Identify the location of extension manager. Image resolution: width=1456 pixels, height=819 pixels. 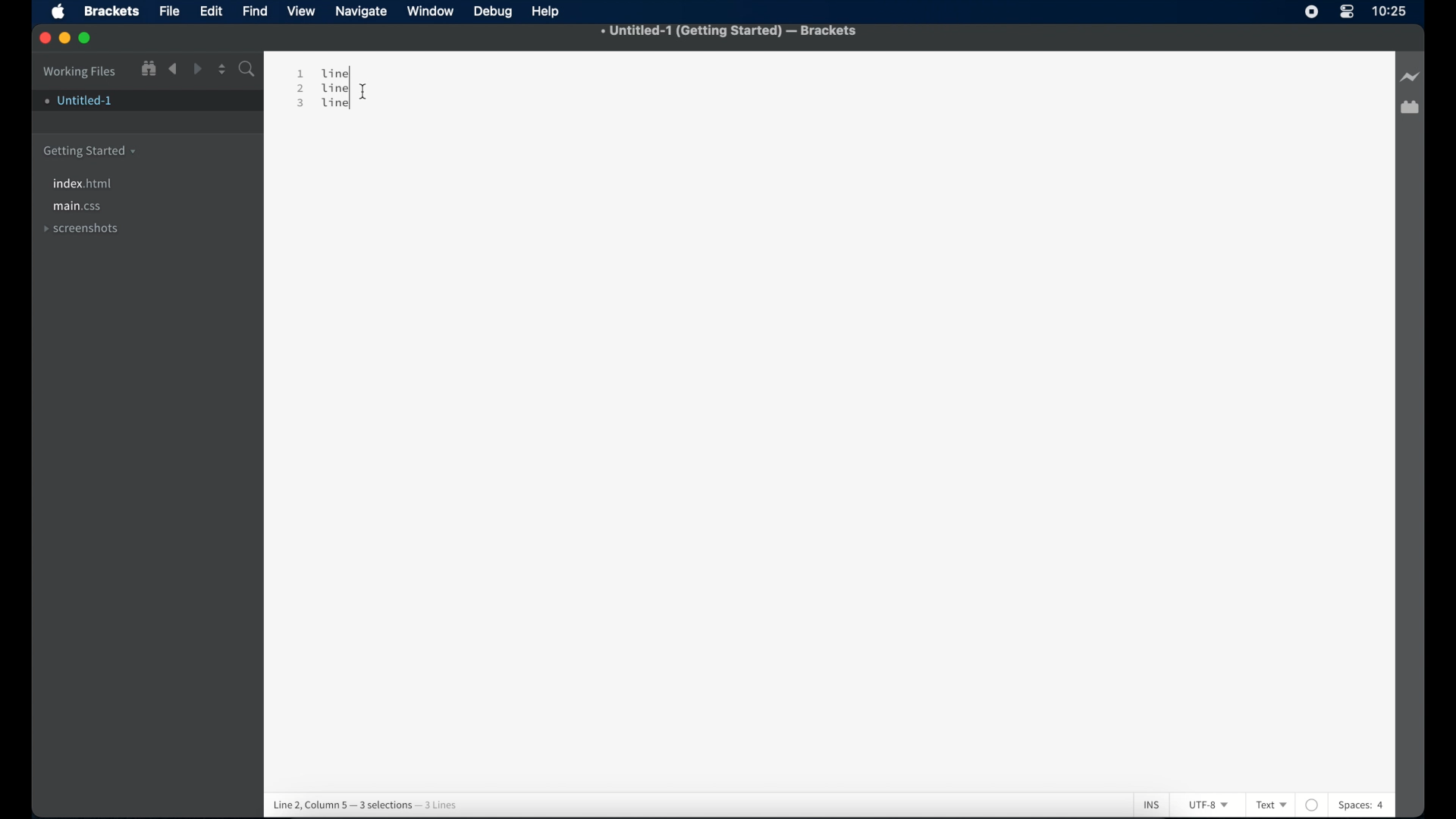
(1410, 108).